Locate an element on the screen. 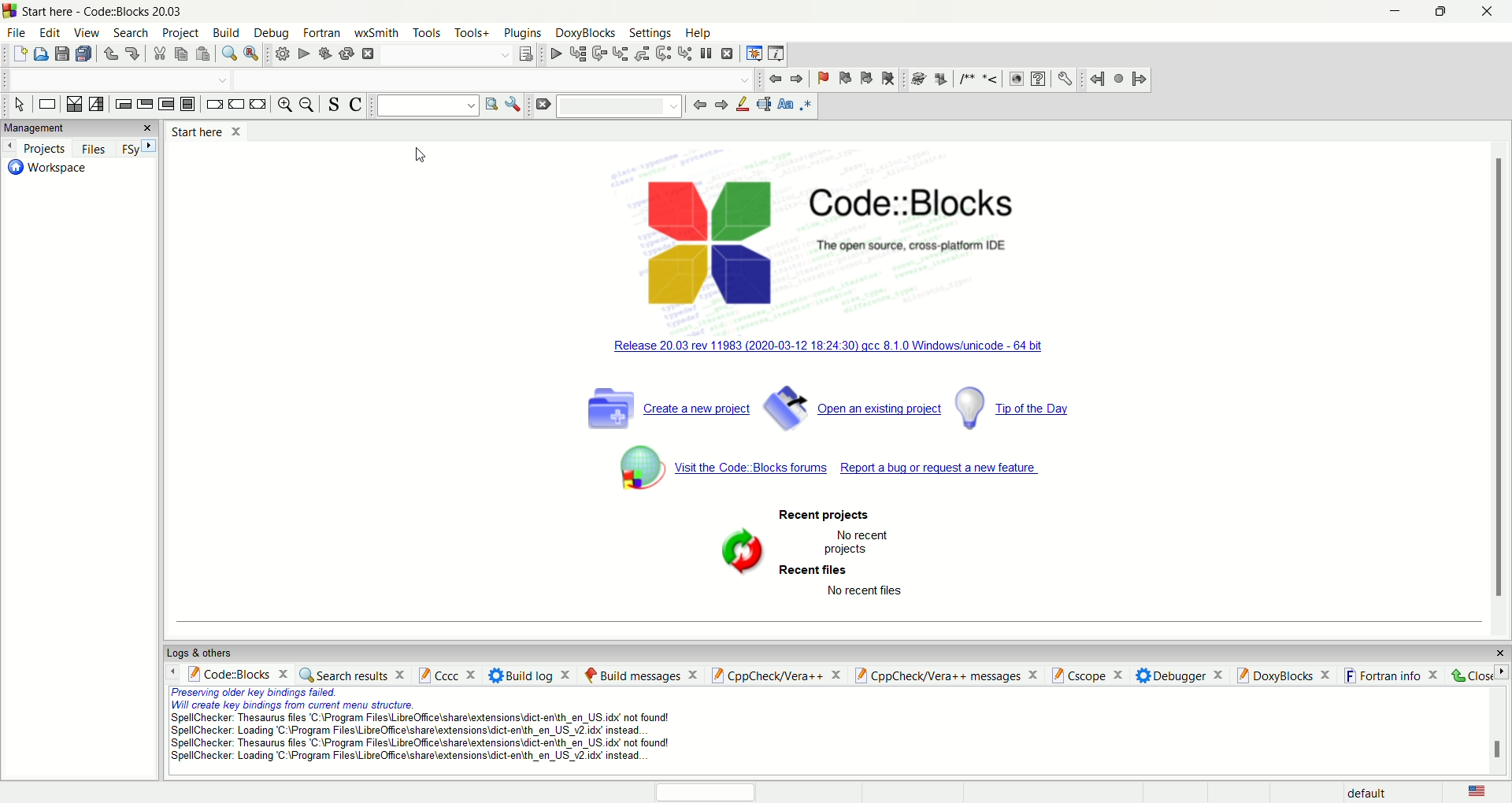 This screenshot has width=1512, height=803. option window is located at coordinates (516, 104).